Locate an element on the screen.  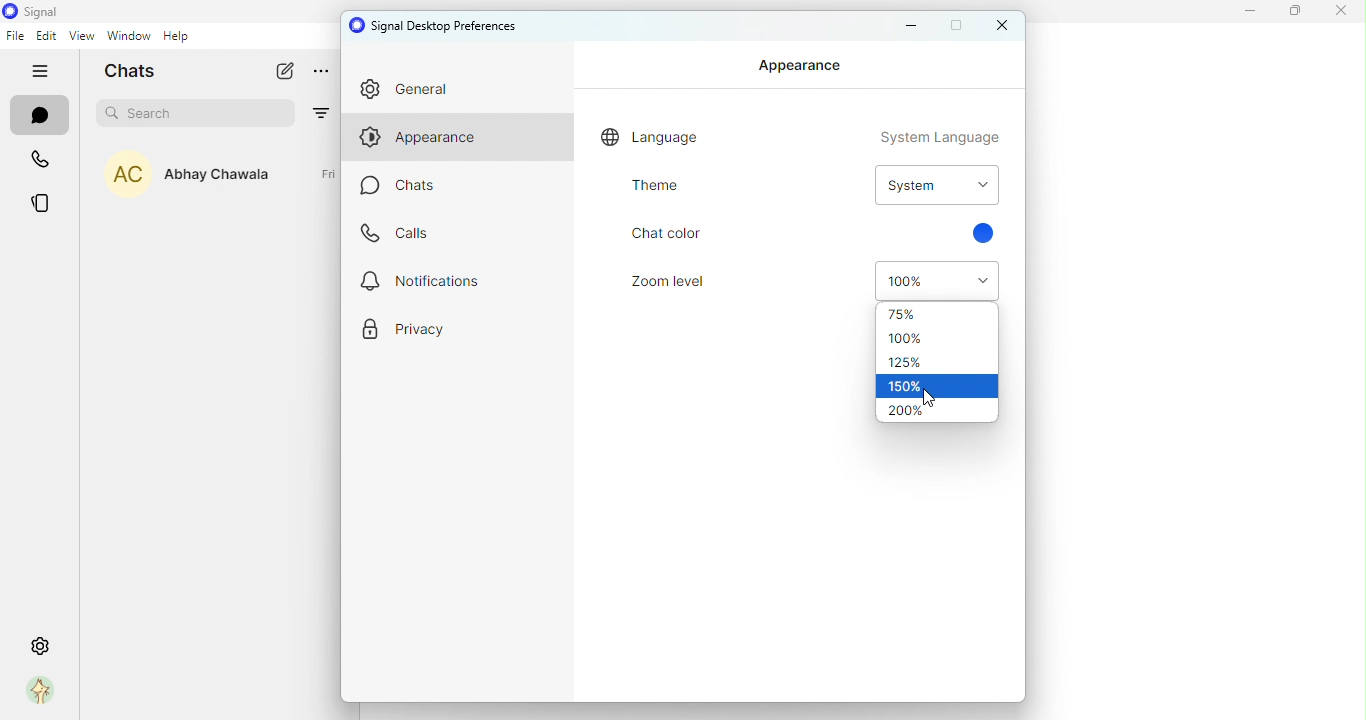
filter by unread is located at coordinates (323, 111).